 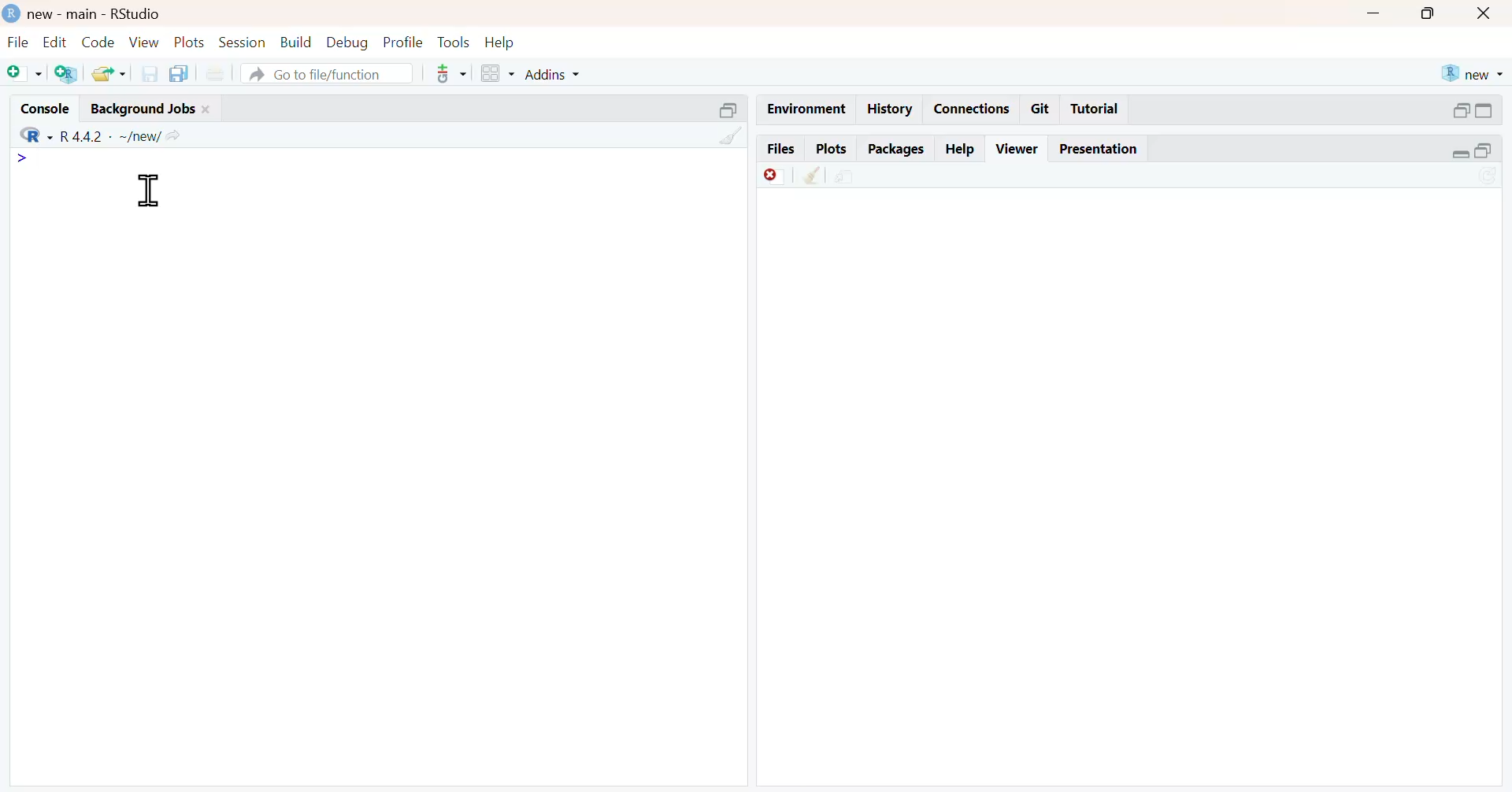 I want to click on debug, so click(x=347, y=43).